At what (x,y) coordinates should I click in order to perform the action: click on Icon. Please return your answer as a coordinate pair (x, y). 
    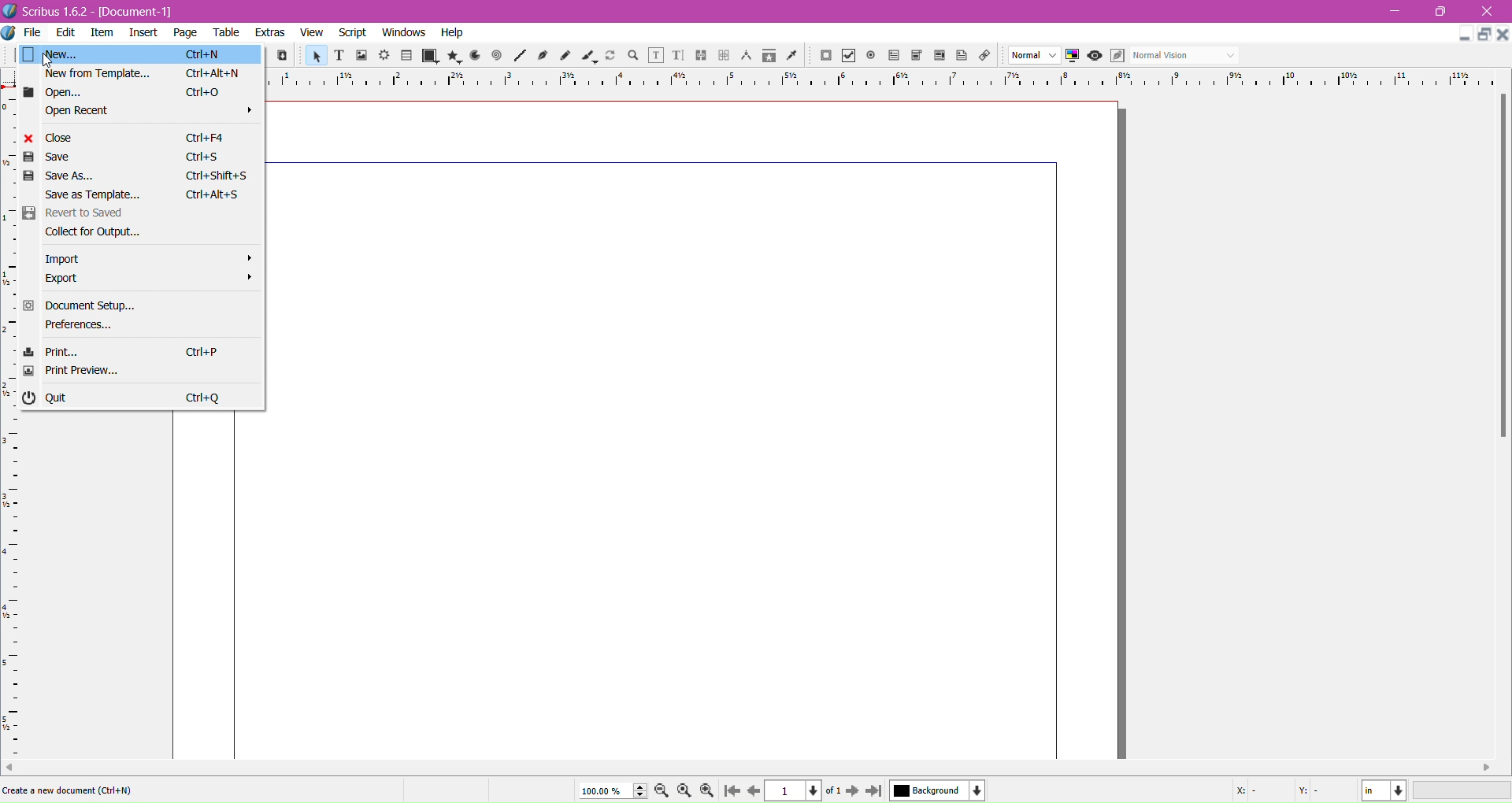
    Looking at the image, I should click on (895, 56).